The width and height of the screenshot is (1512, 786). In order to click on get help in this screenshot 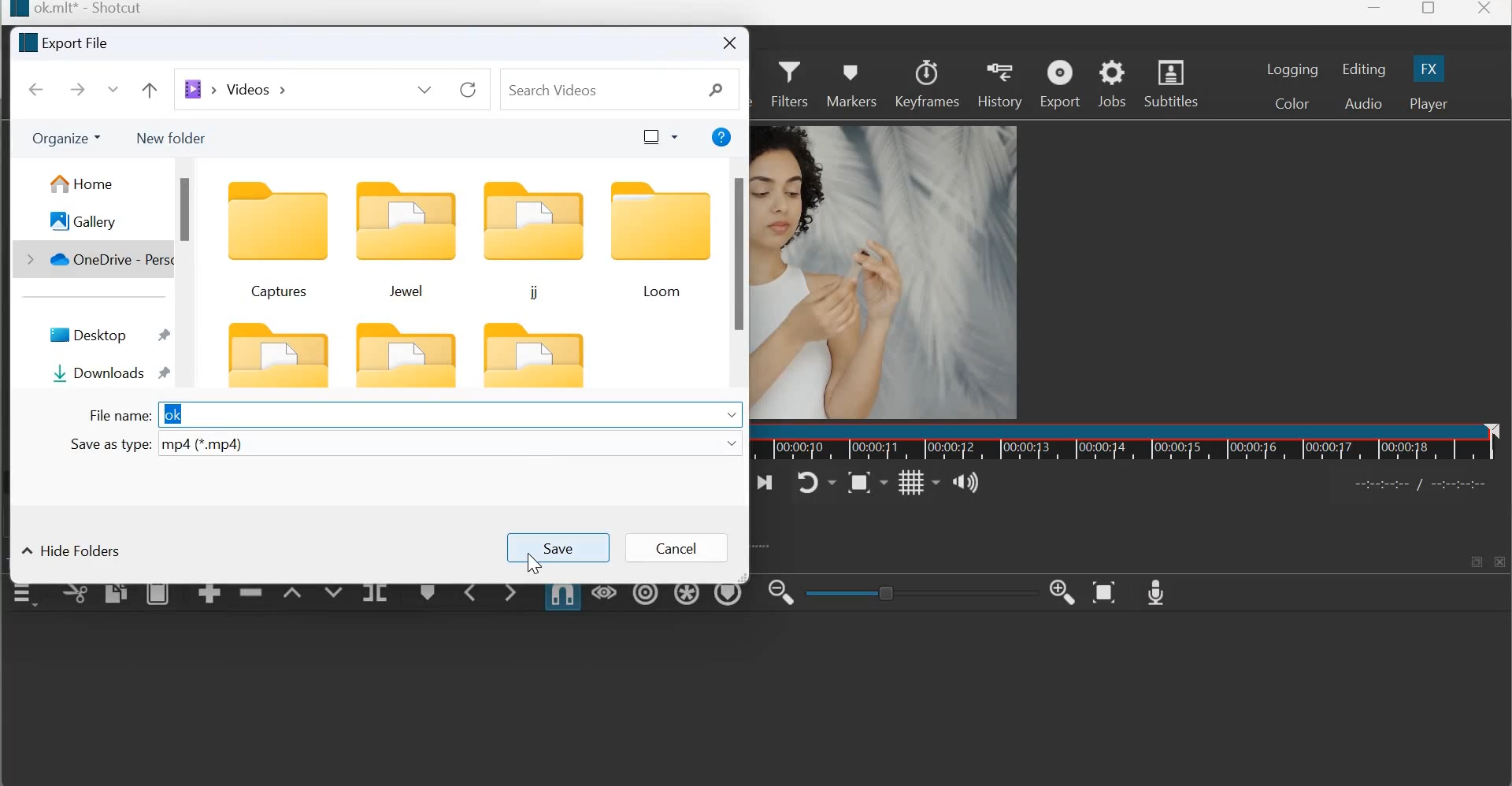, I will do `click(717, 139)`.